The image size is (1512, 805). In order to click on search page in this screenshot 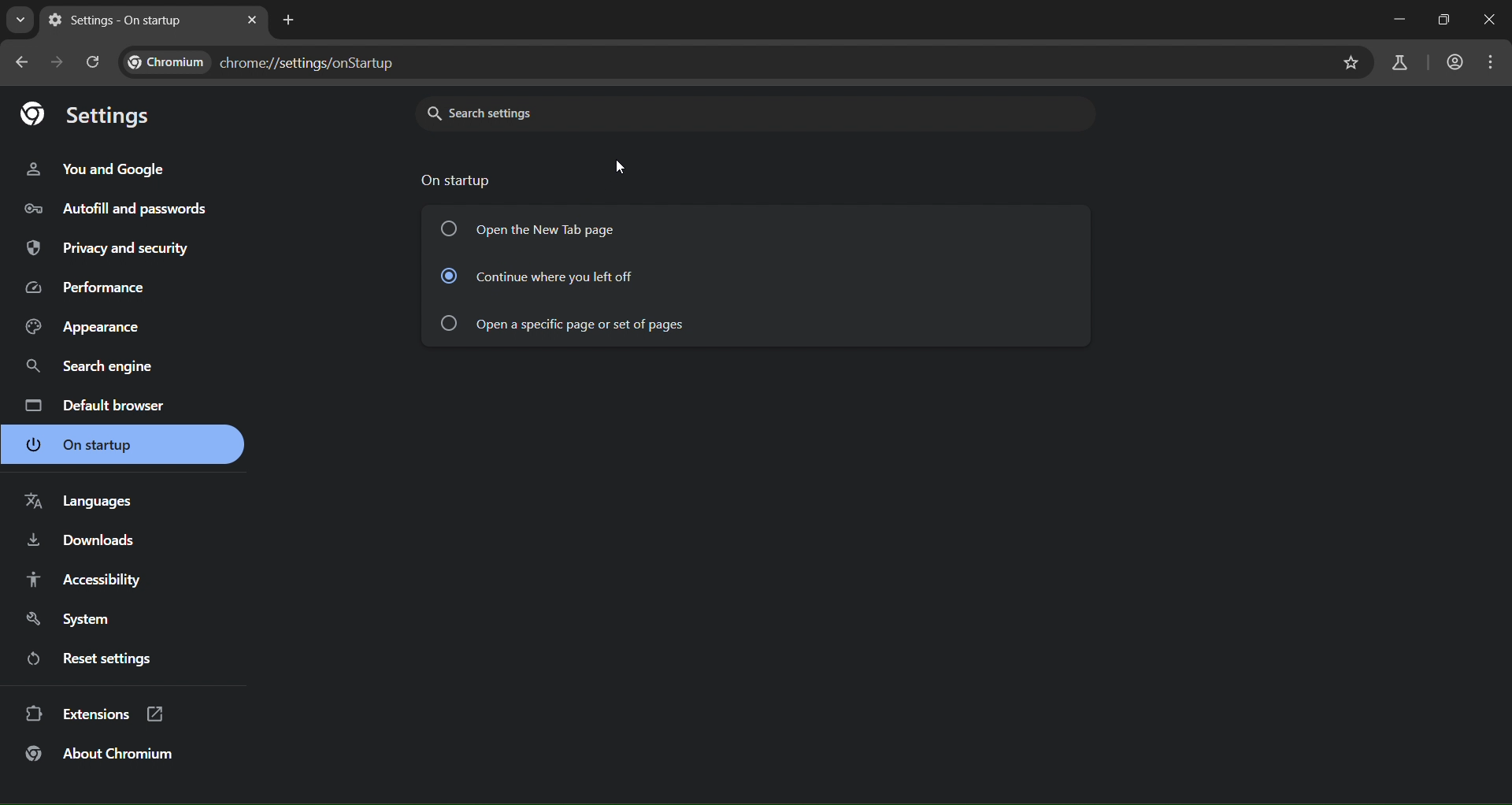, I will do `click(15, 21)`.